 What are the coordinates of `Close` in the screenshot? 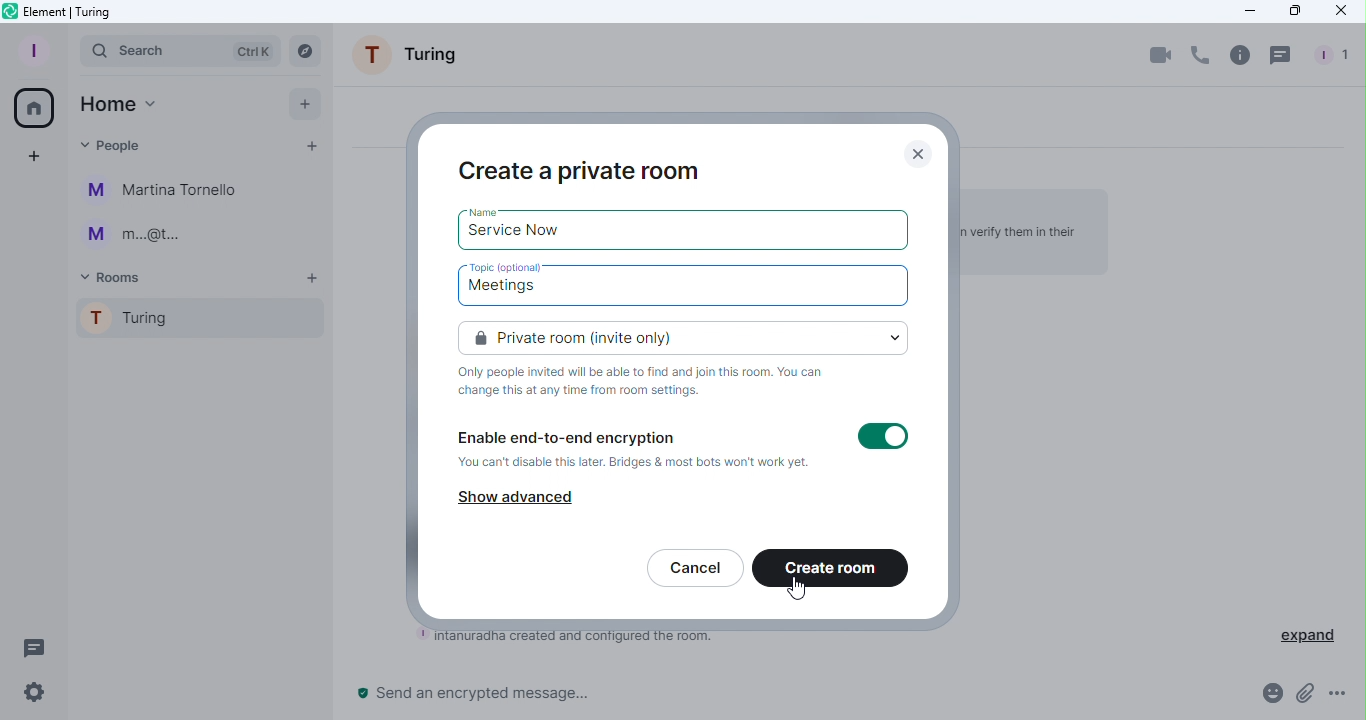 It's located at (1341, 14).